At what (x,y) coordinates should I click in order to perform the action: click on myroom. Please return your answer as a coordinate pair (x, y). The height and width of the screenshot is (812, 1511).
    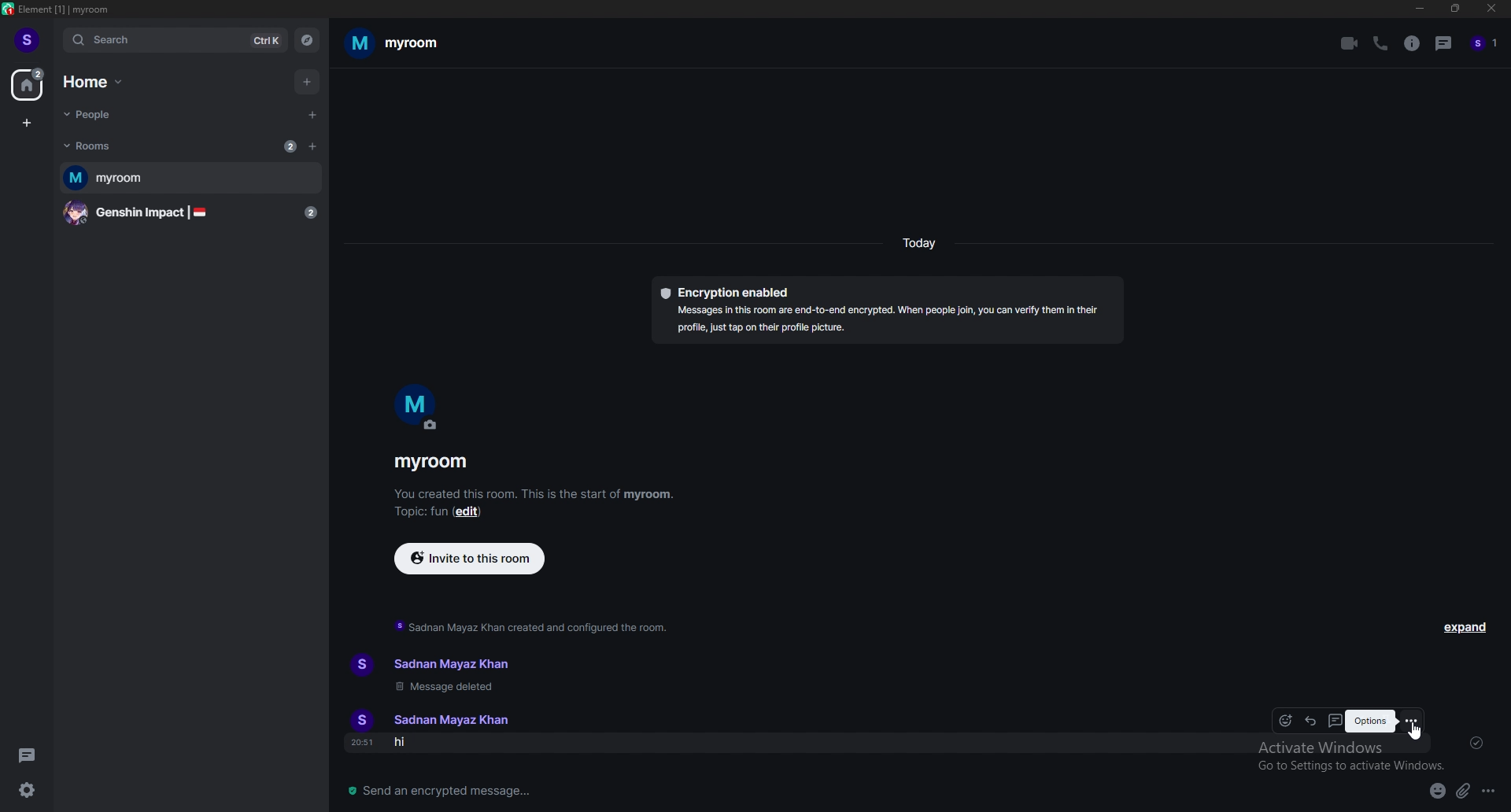
    Looking at the image, I should click on (394, 42).